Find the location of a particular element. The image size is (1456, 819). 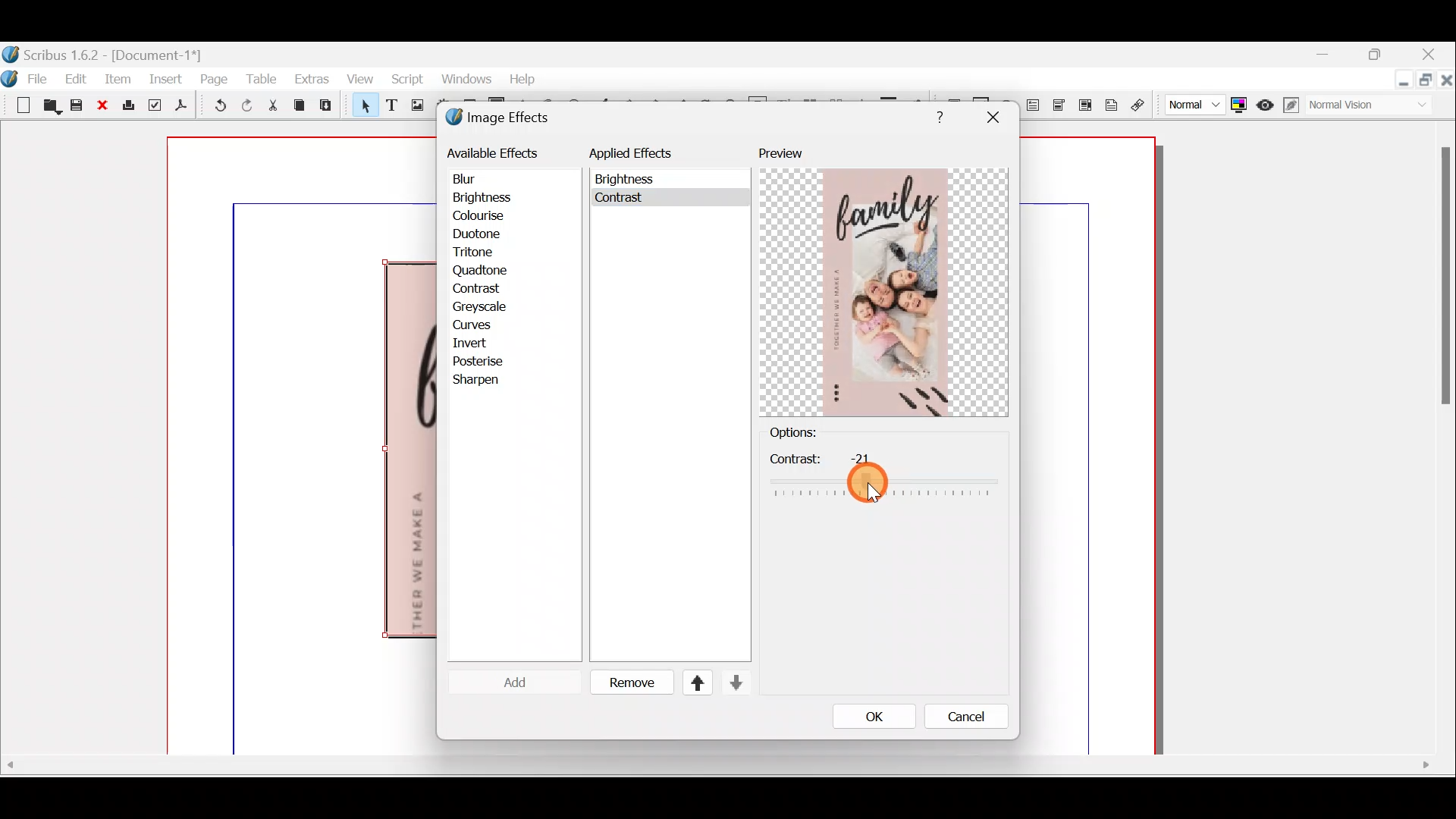

Duotone is located at coordinates (480, 235).